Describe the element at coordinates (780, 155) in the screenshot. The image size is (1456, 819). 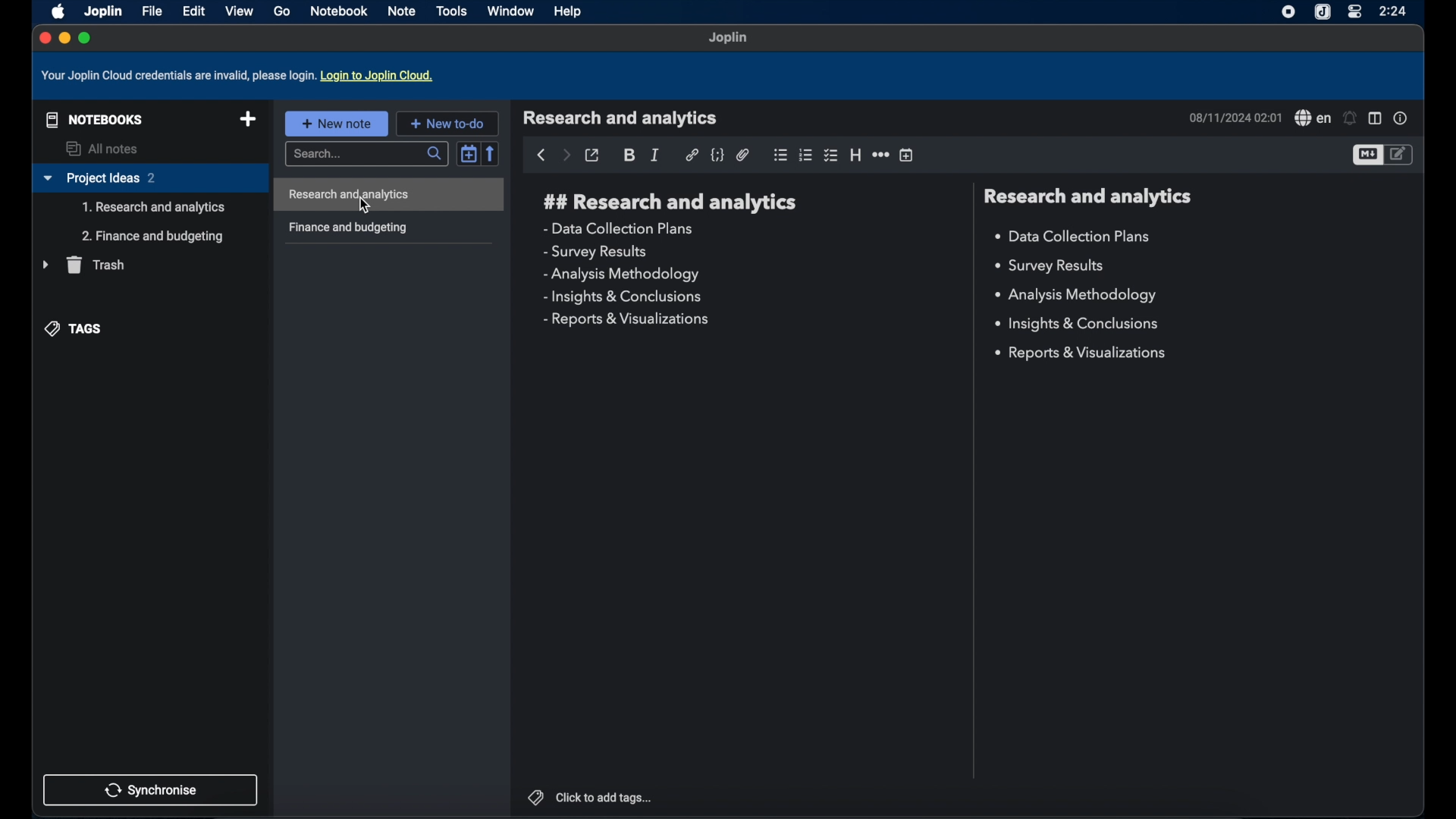
I see `bulleted list` at that location.